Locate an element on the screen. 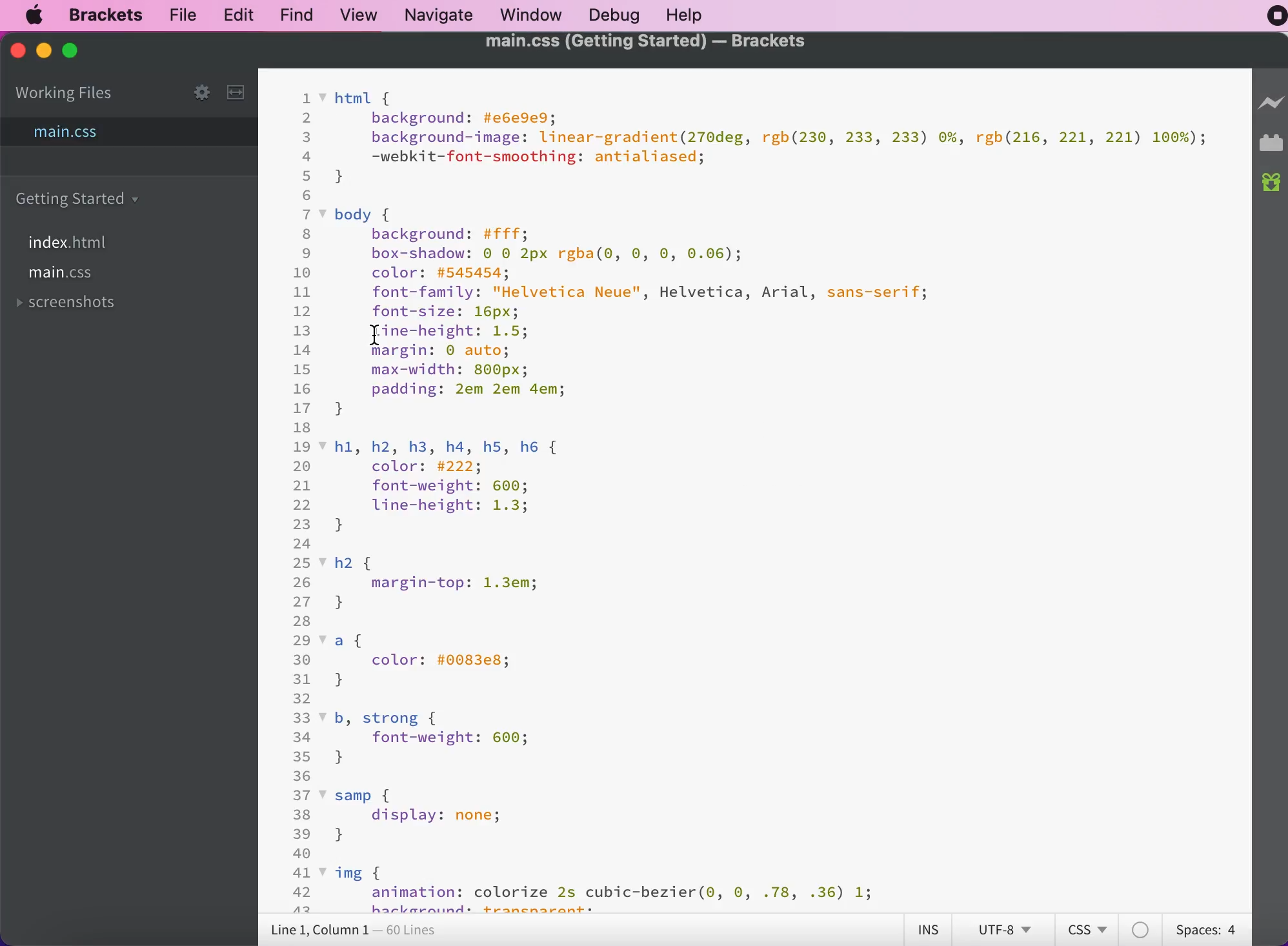  11 is located at coordinates (302, 292).